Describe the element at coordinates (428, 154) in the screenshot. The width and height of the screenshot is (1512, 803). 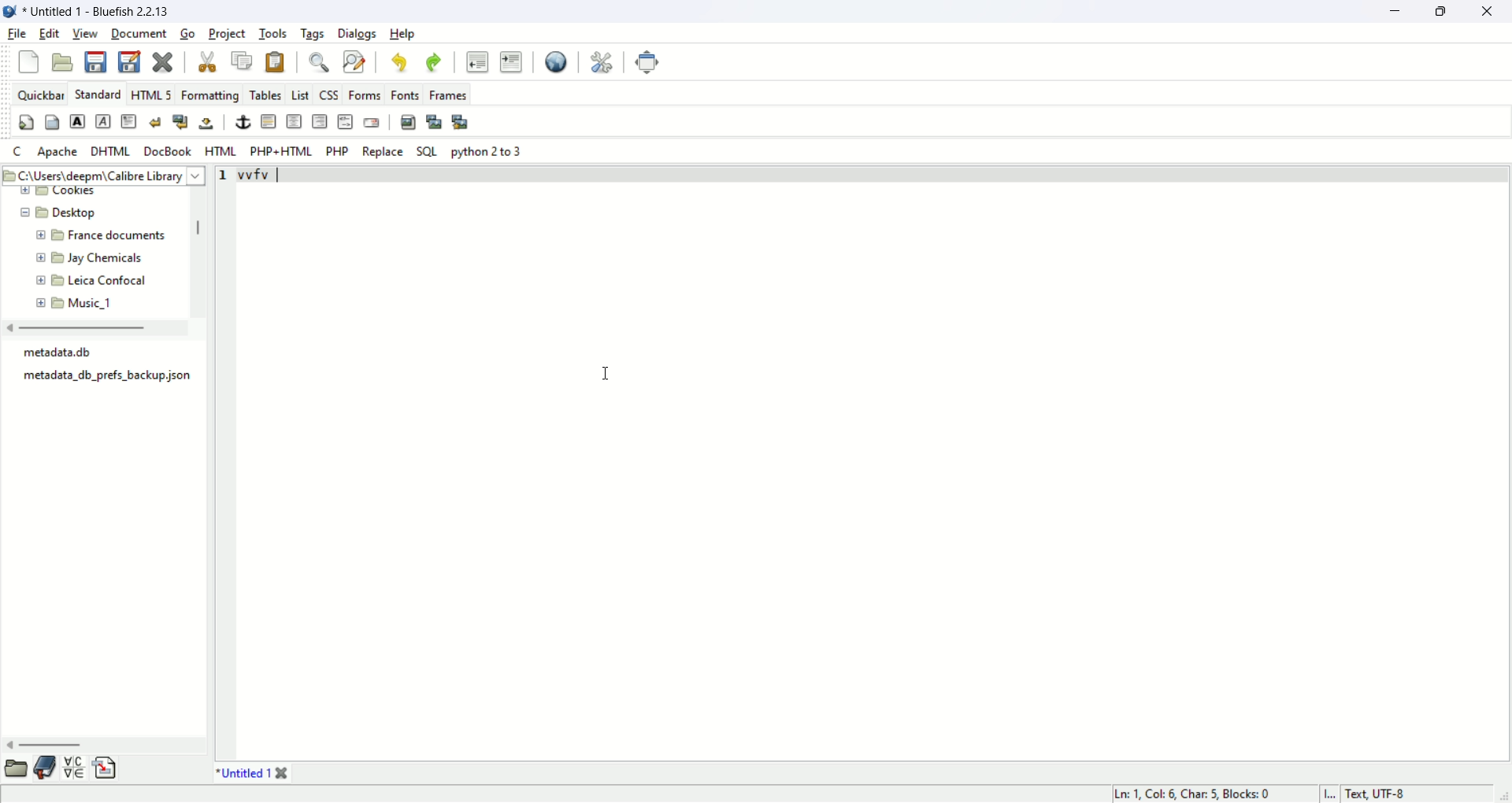
I see `SQL` at that location.